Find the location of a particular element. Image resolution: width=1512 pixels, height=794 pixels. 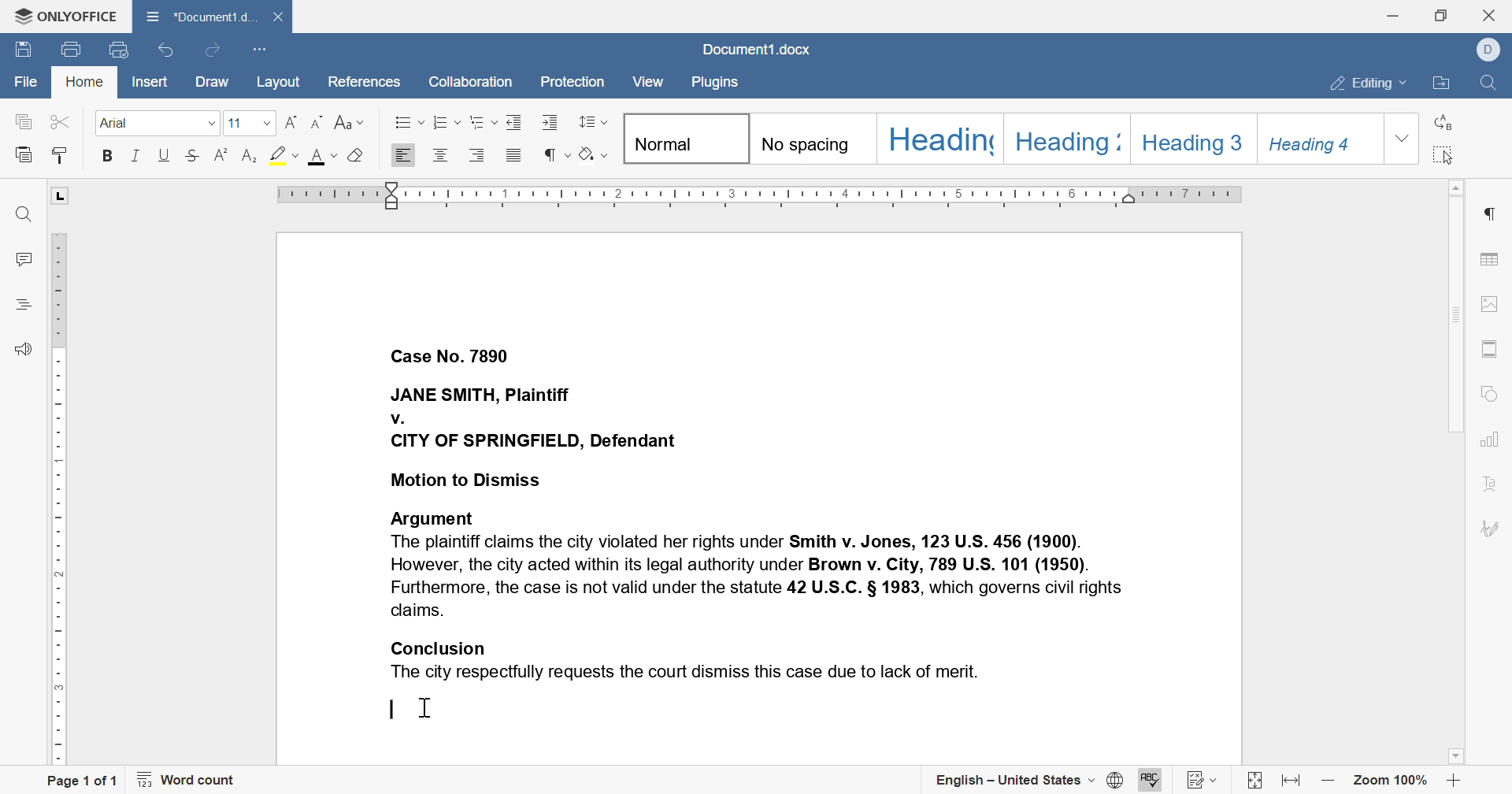

typing cursor is located at coordinates (391, 710).